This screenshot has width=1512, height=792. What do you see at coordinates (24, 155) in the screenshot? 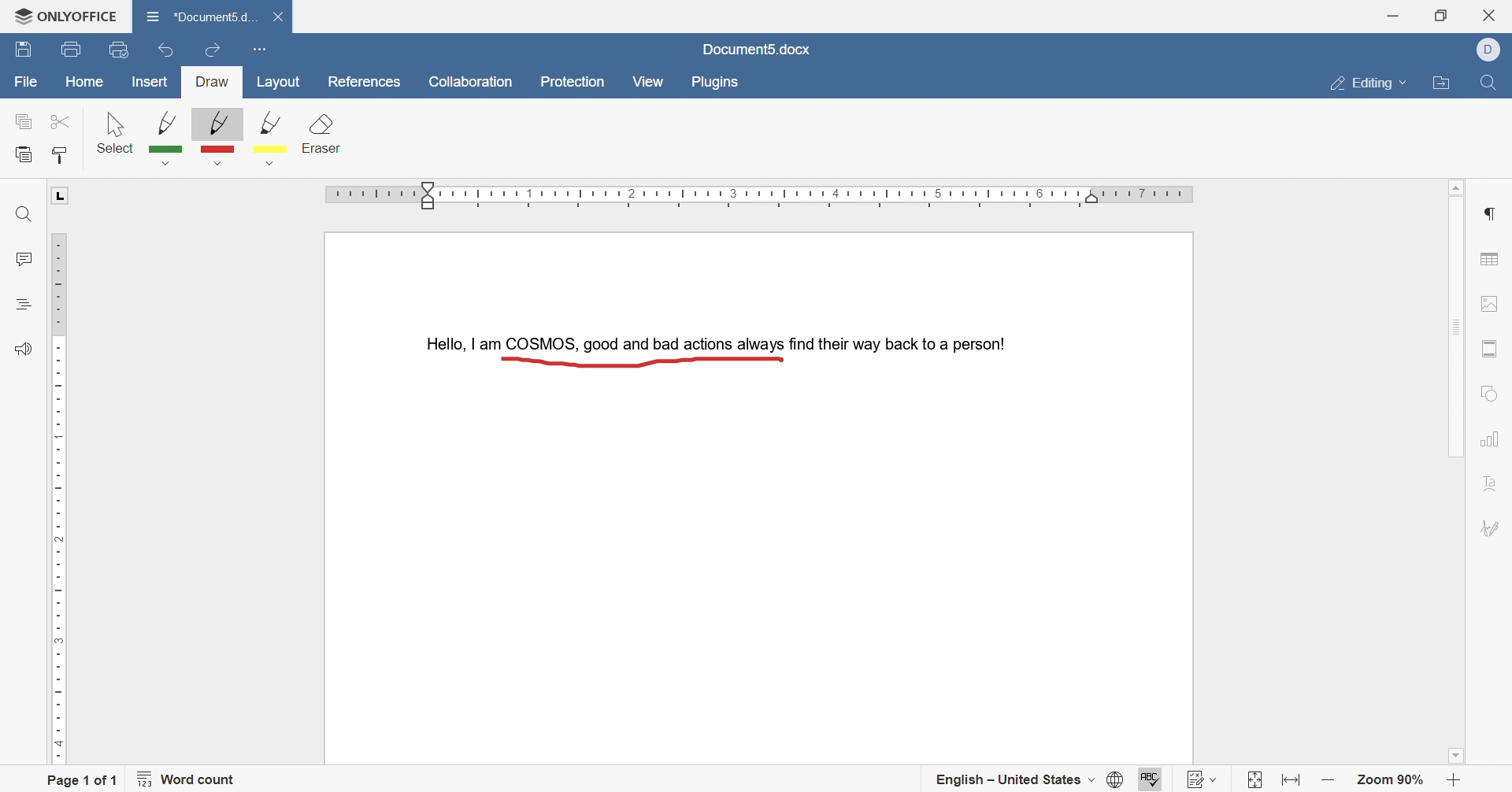
I see `paste` at bounding box center [24, 155].